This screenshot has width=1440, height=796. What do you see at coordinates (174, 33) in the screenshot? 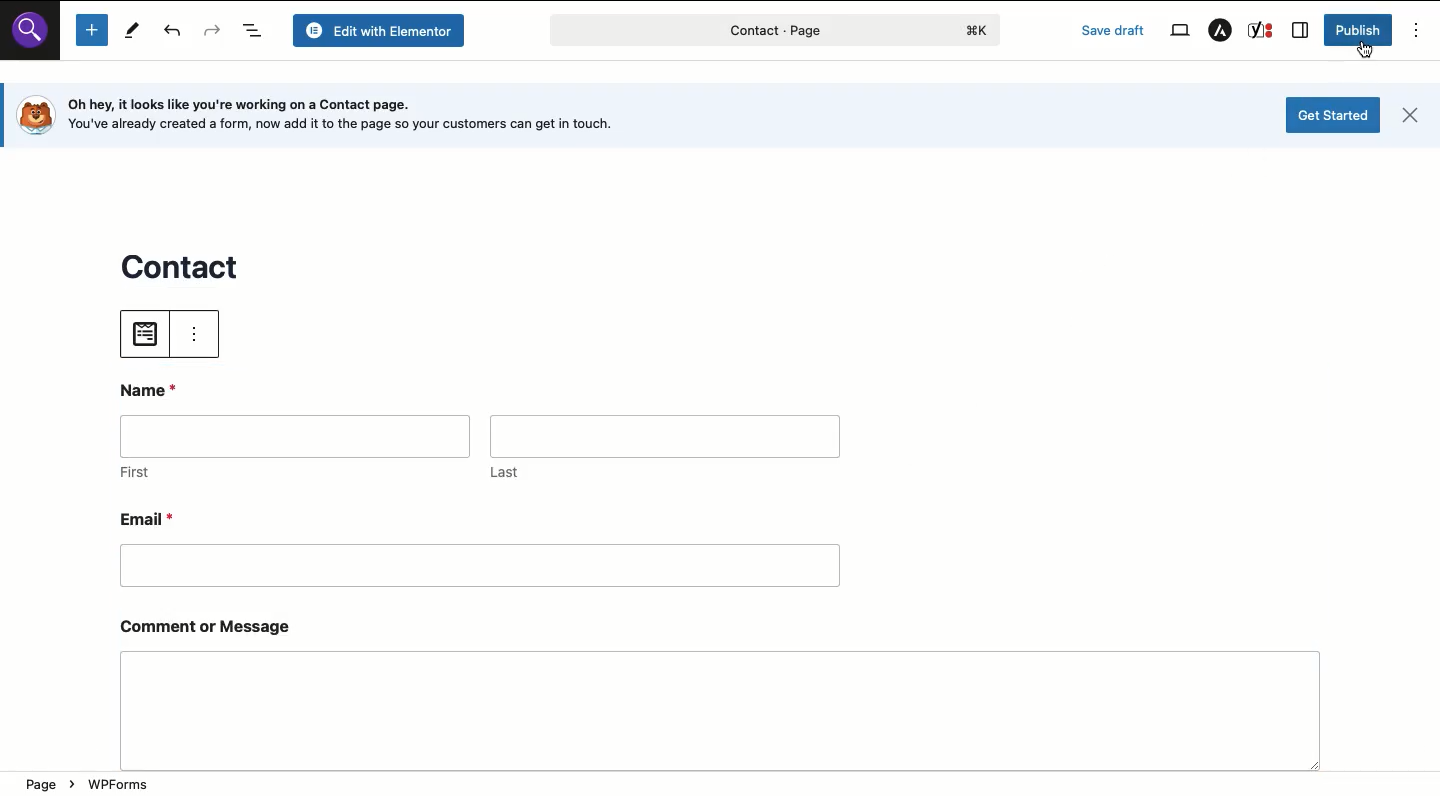
I see `Undo` at bounding box center [174, 33].